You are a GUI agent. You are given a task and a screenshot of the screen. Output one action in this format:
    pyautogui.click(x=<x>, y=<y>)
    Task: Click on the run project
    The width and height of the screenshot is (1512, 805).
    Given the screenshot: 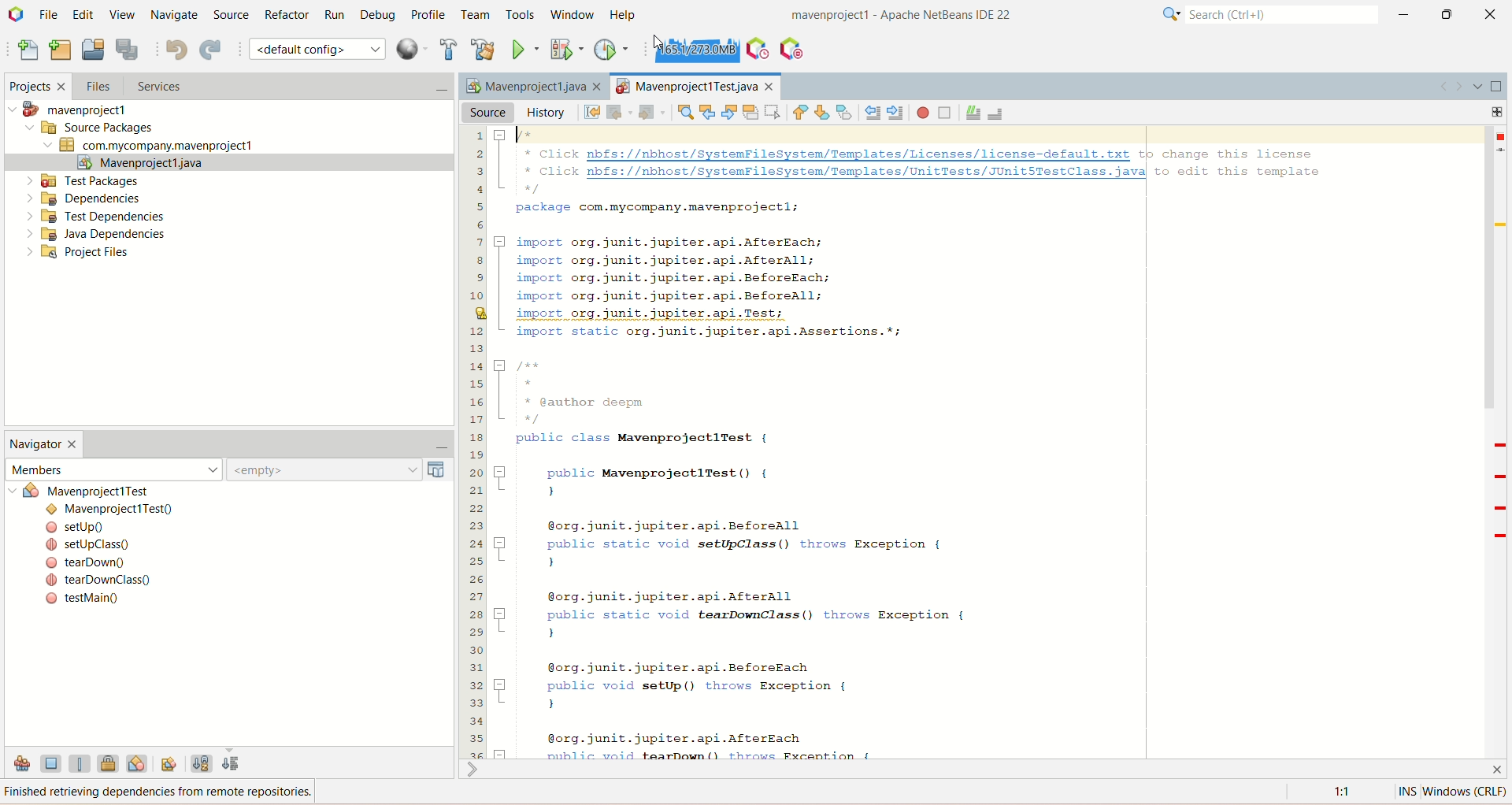 What is the action you would take?
    pyautogui.click(x=525, y=48)
    